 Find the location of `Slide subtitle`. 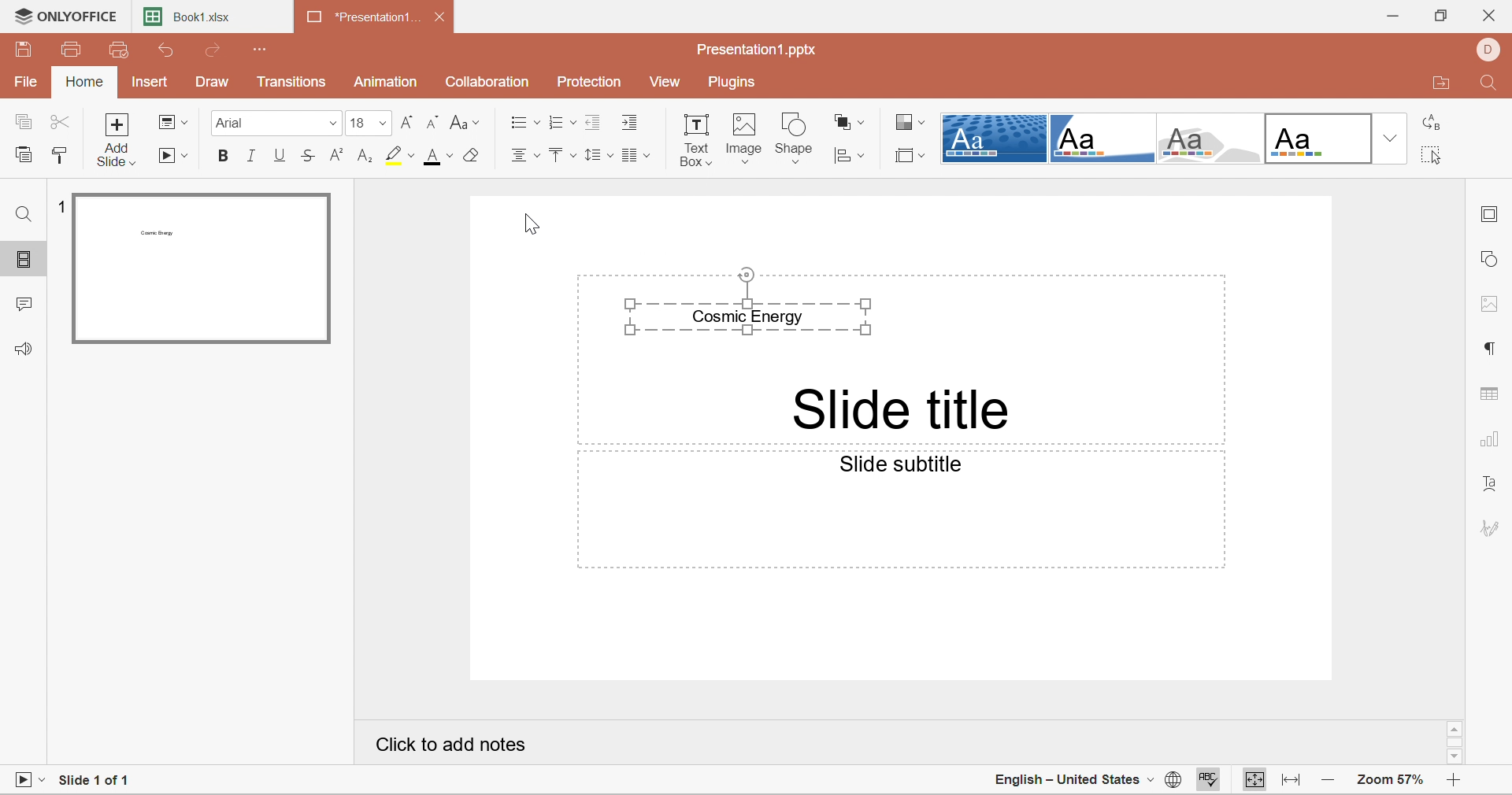

Slide subtitle is located at coordinates (906, 466).